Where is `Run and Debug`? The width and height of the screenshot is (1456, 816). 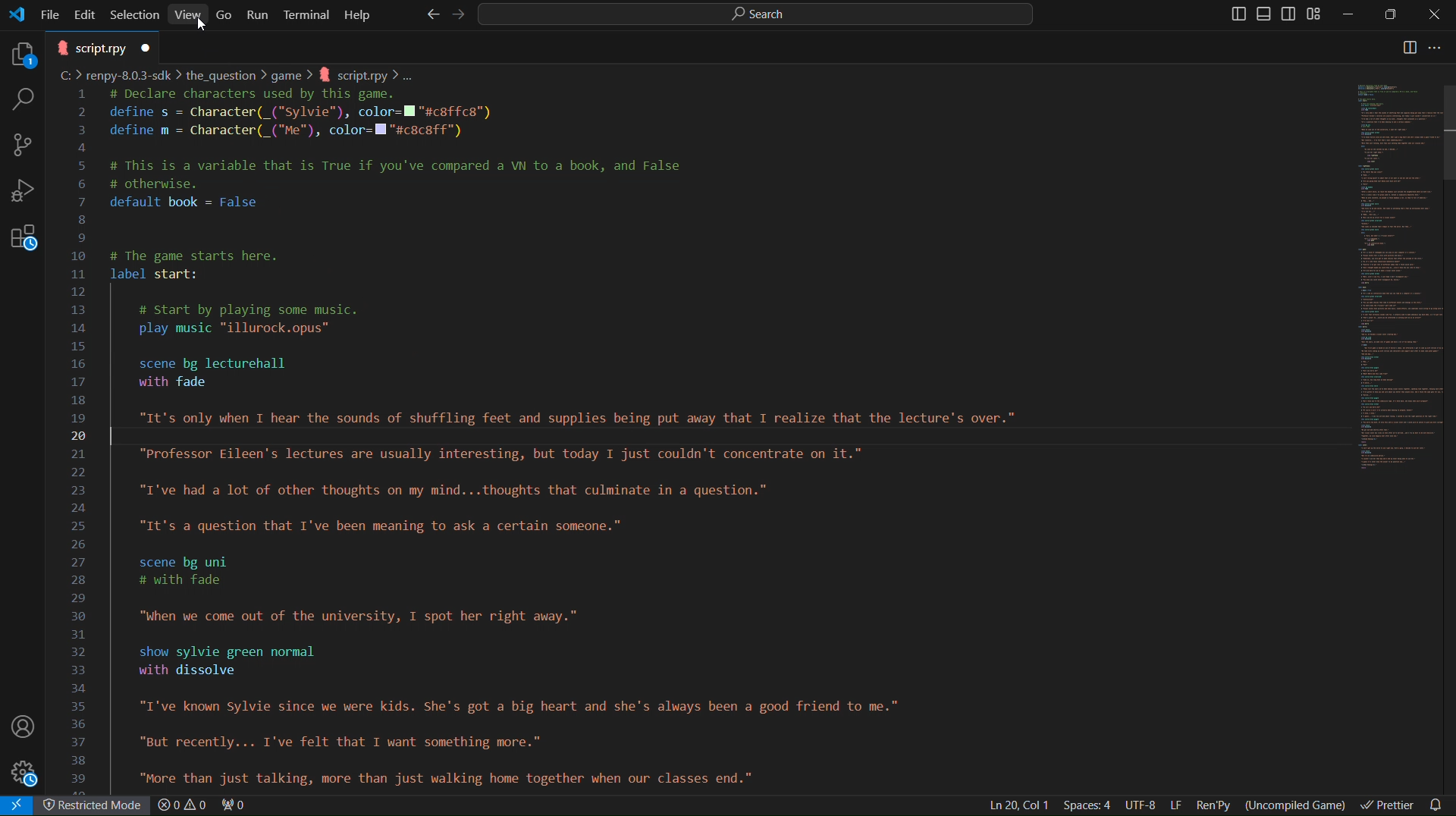
Run and Debug is located at coordinates (24, 195).